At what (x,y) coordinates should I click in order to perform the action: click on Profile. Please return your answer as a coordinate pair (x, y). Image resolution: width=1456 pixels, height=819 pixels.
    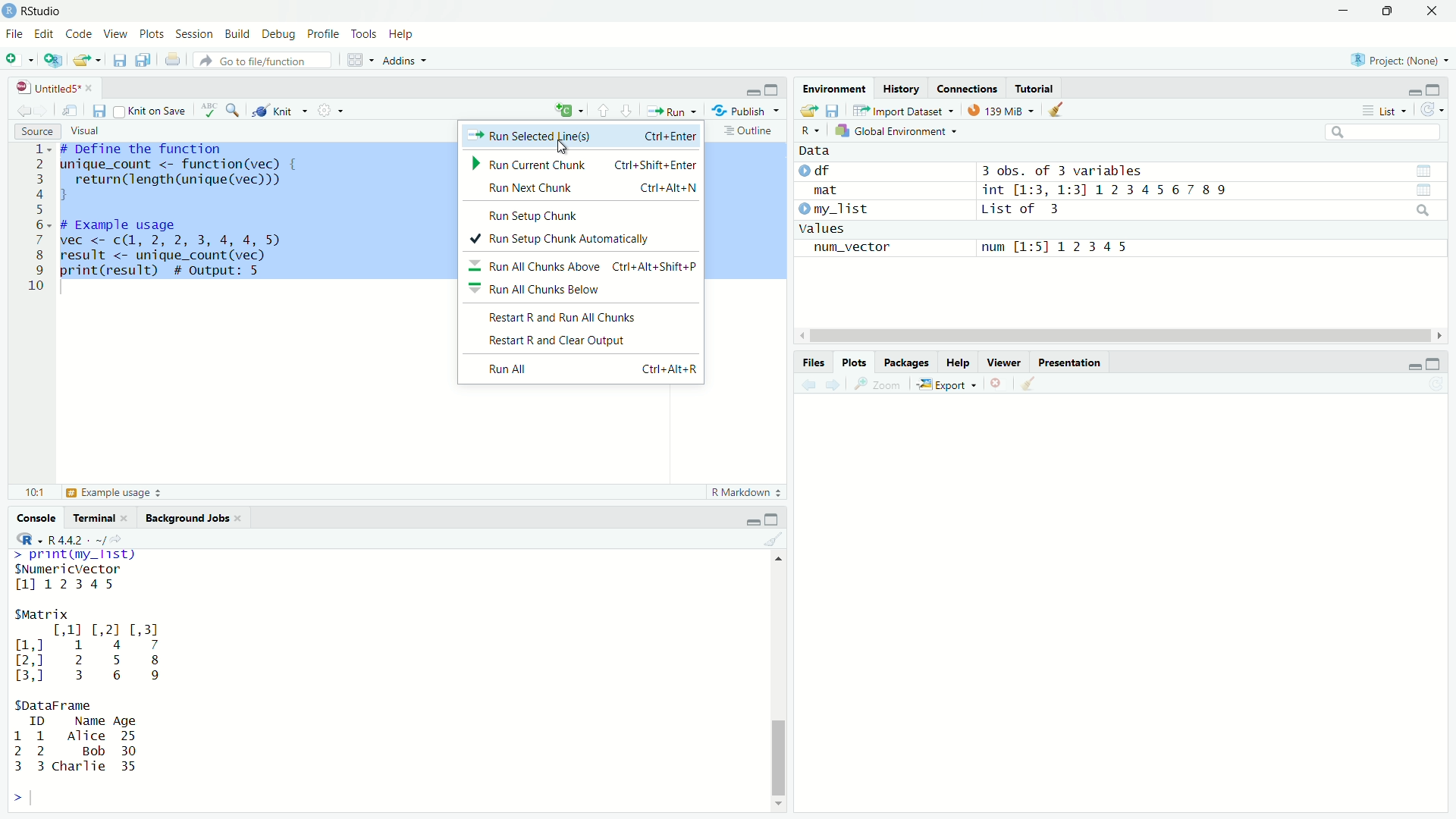
    Looking at the image, I should click on (325, 34).